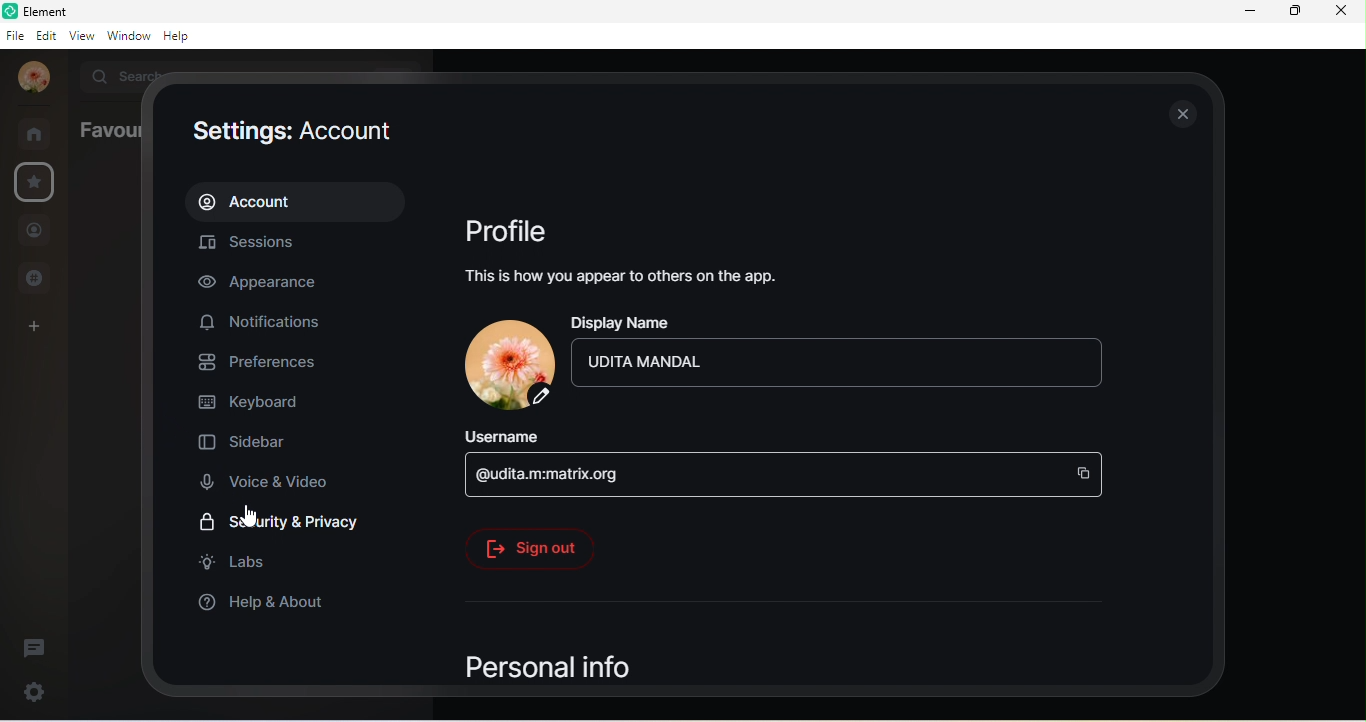 This screenshot has height=722, width=1366. What do you see at coordinates (109, 128) in the screenshot?
I see `favourites` at bounding box center [109, 128].